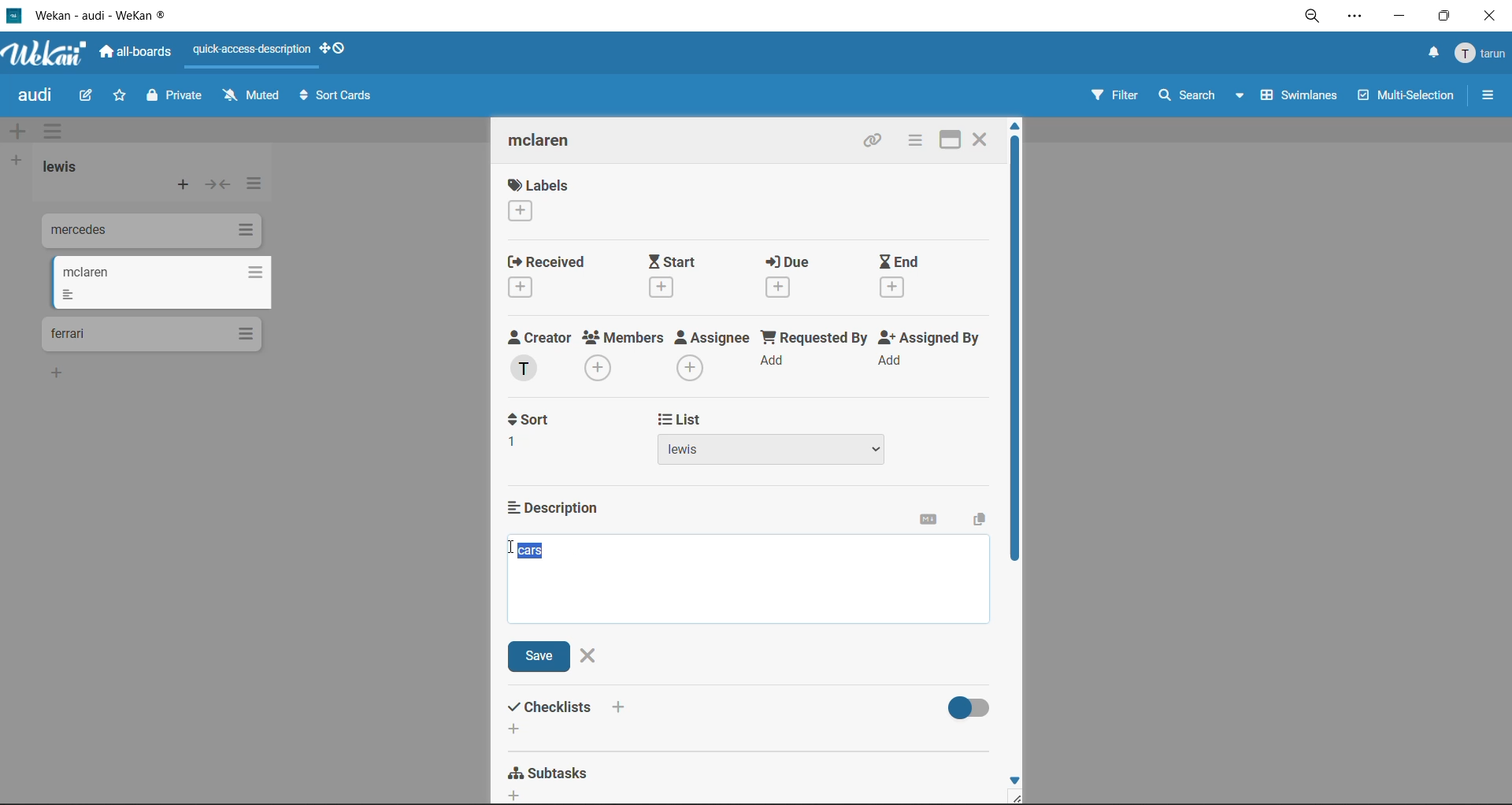 The image size is (1512, 805). I want to click on sort, so click(539, 431).